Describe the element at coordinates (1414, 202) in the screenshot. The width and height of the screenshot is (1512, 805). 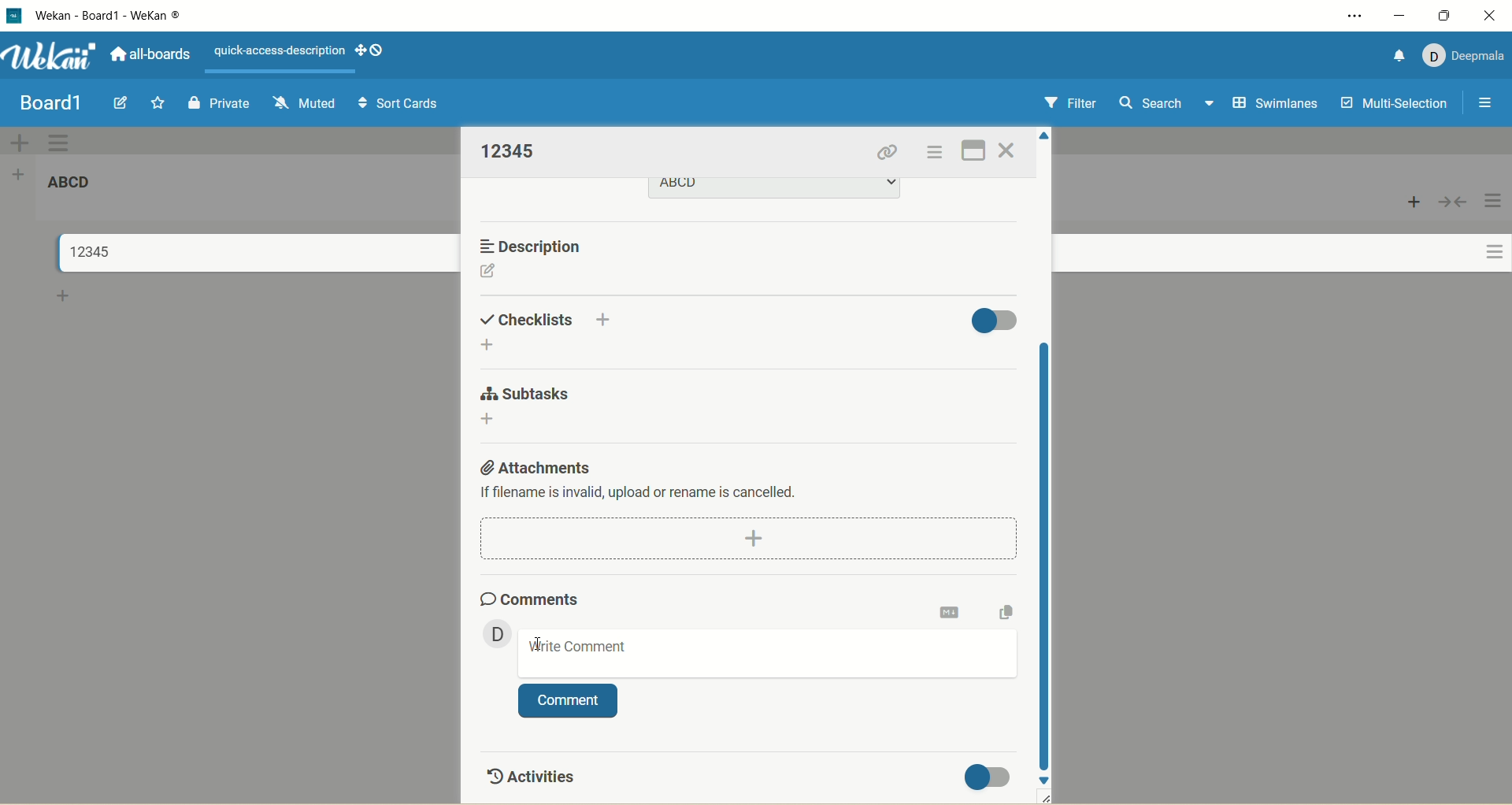
I see `add card` at that location.